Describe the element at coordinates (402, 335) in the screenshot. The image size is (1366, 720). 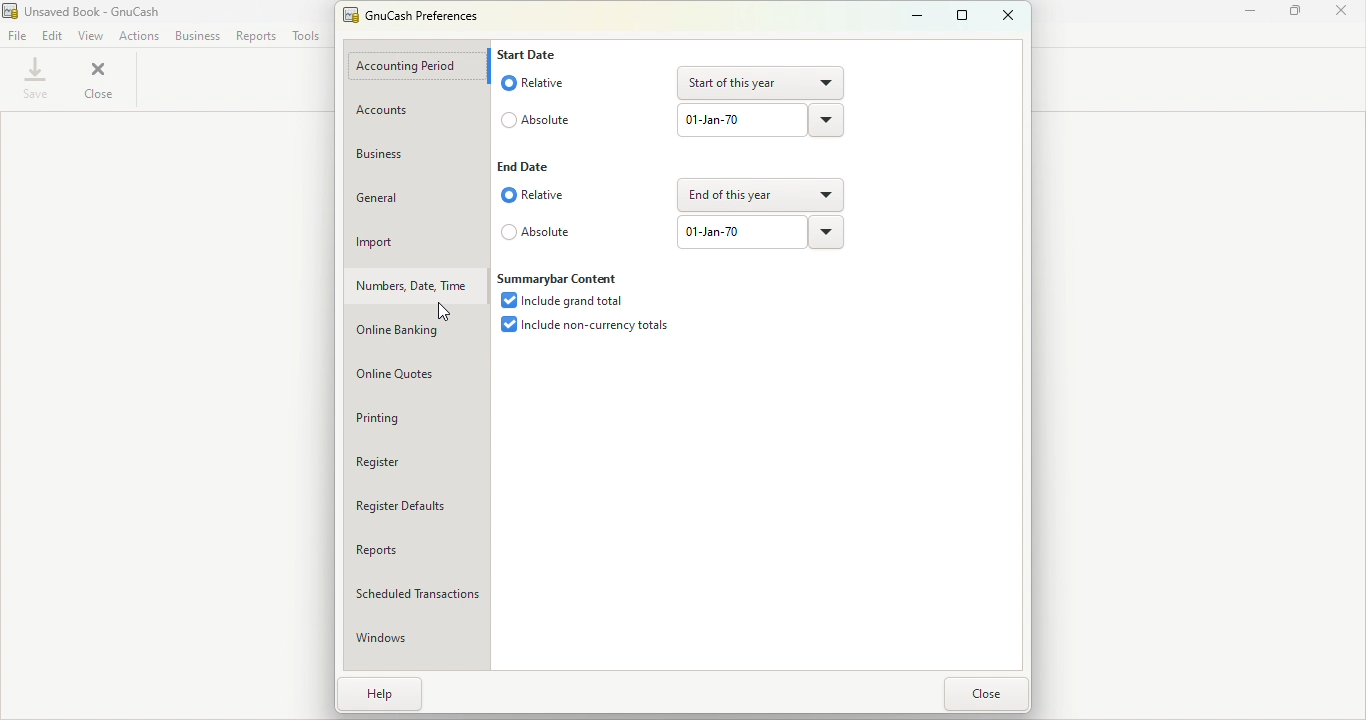
I see `Online banking` at that location.